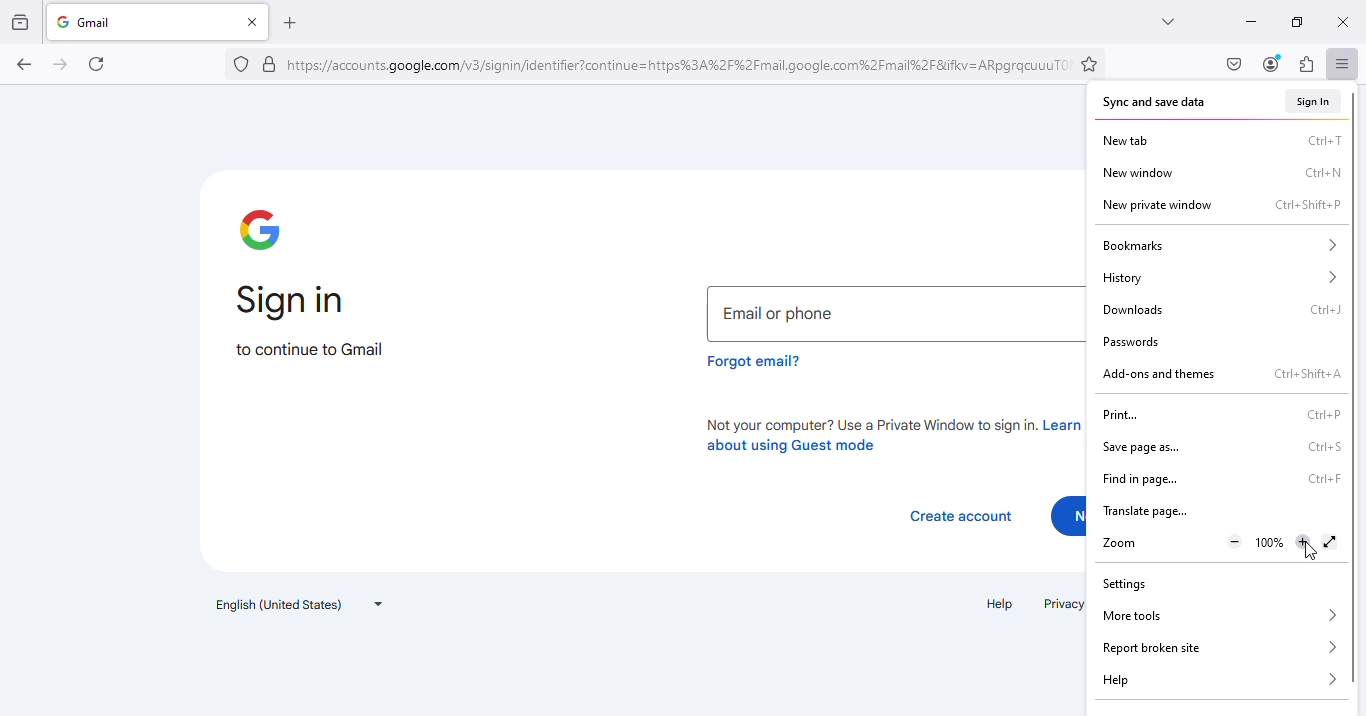  Describe the element at coordinates (1131, 342) in the screenshot. I see `passwords` at that location.